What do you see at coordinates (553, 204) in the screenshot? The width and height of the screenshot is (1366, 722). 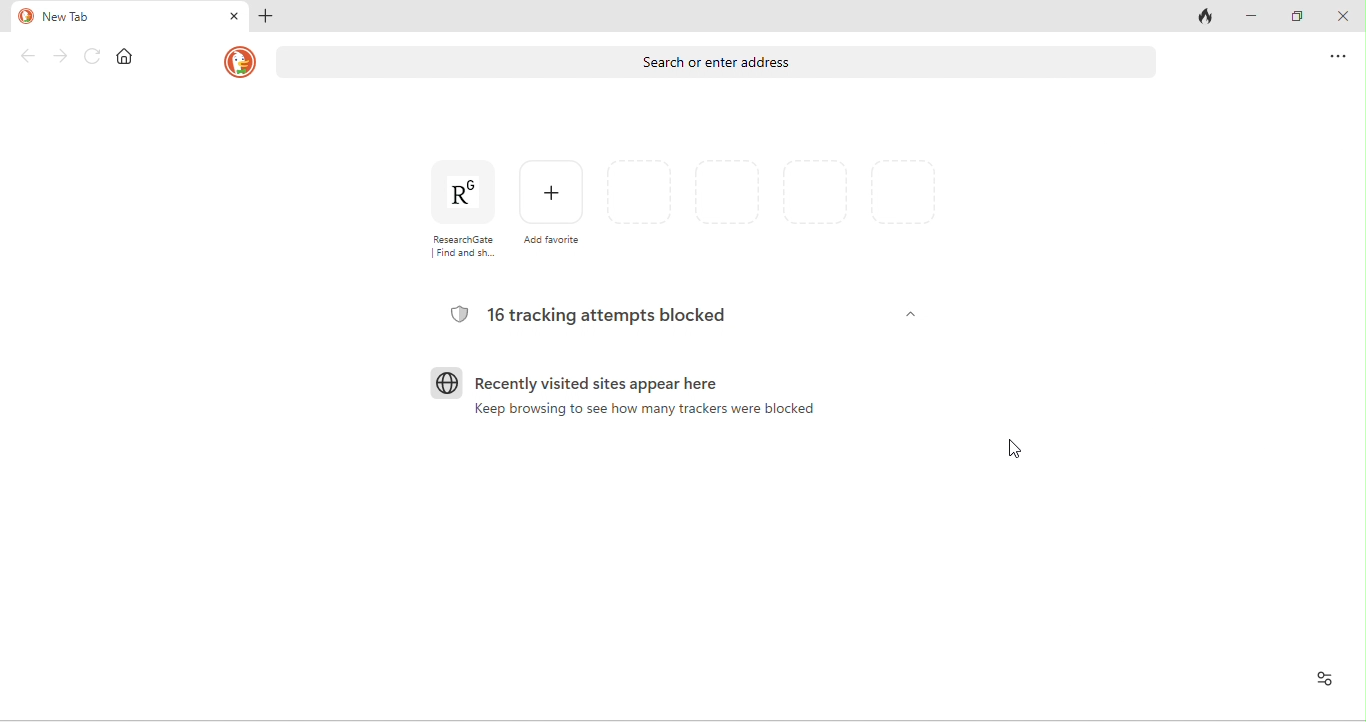 I see `add favourites` at bounding box center [553, 204].